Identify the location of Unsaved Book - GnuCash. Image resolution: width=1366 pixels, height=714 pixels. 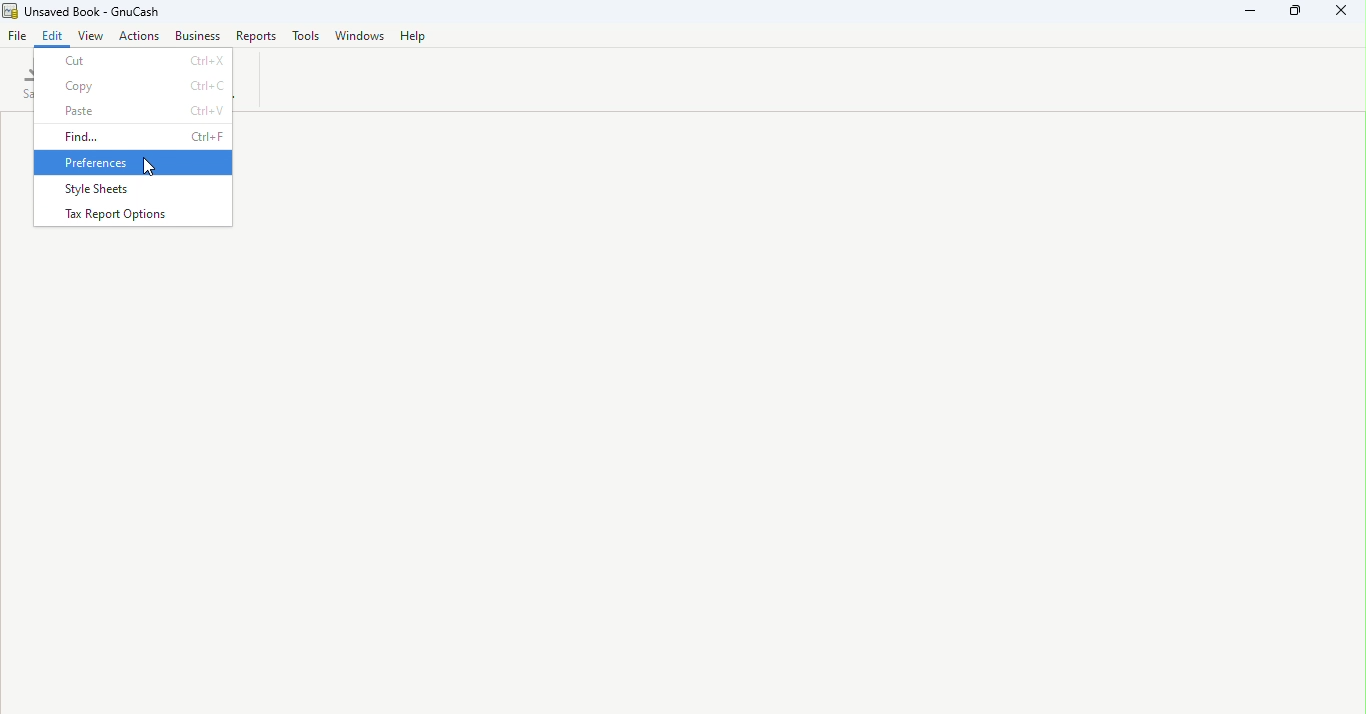
(106, 11).